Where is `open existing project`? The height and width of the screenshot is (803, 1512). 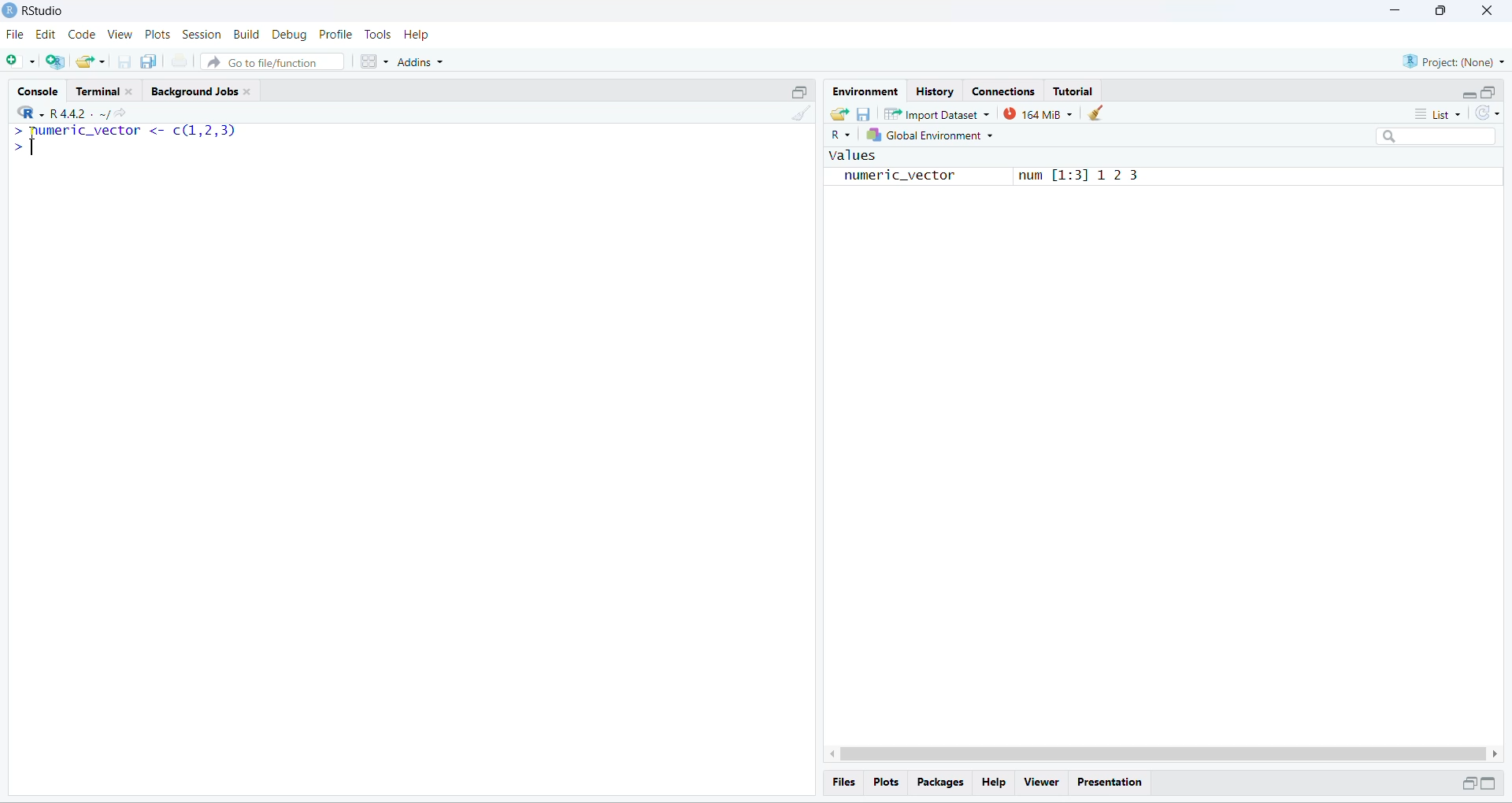
open existing project is located at coordinates (91, 61).